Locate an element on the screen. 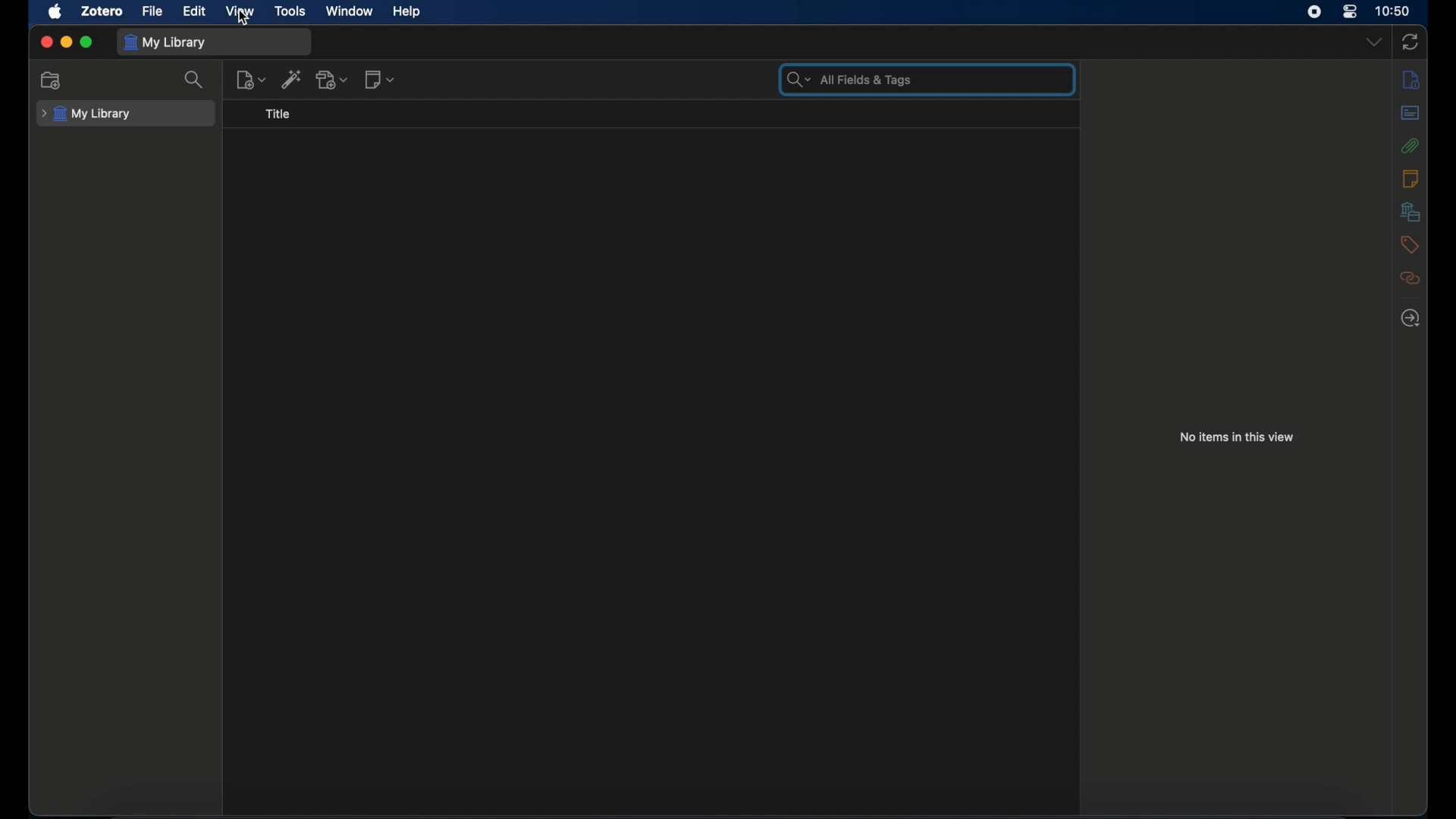 The width and height of the screenshot is (1456, 819). minimize is located at coordinates (65, 42).